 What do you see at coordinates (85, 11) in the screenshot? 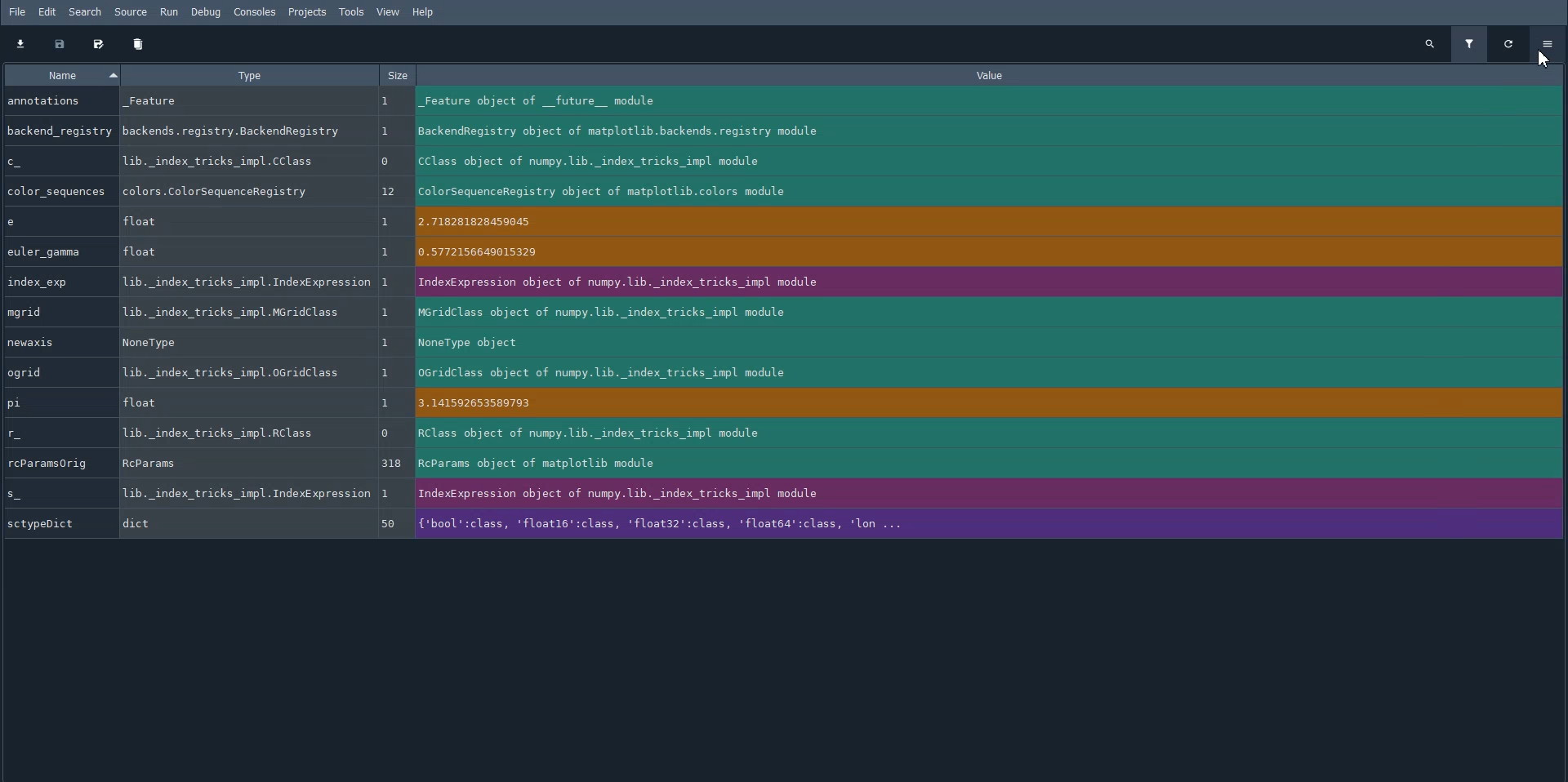
I see `Search` at bounding box center [85, 11].